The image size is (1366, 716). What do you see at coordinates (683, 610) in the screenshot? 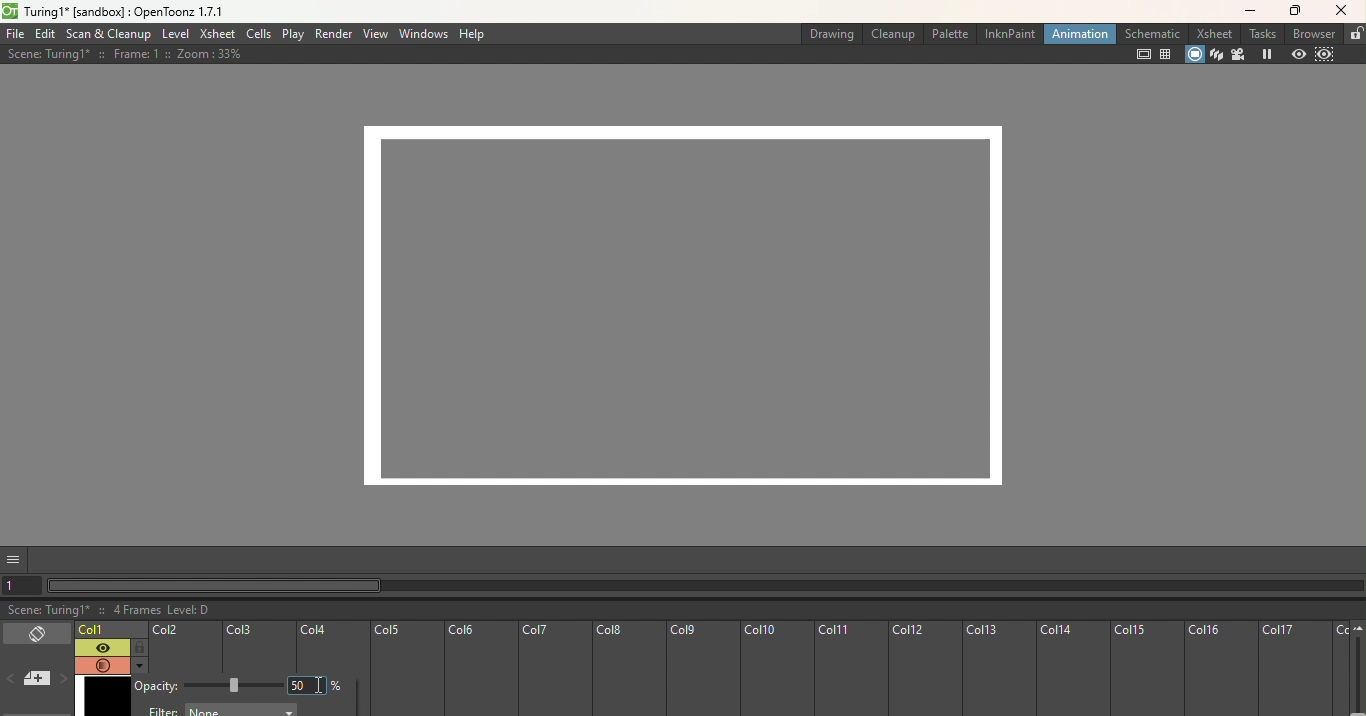
I see `Scene: Turing1* :: 4 Frames Level: D` at bounding box center [683, 610].